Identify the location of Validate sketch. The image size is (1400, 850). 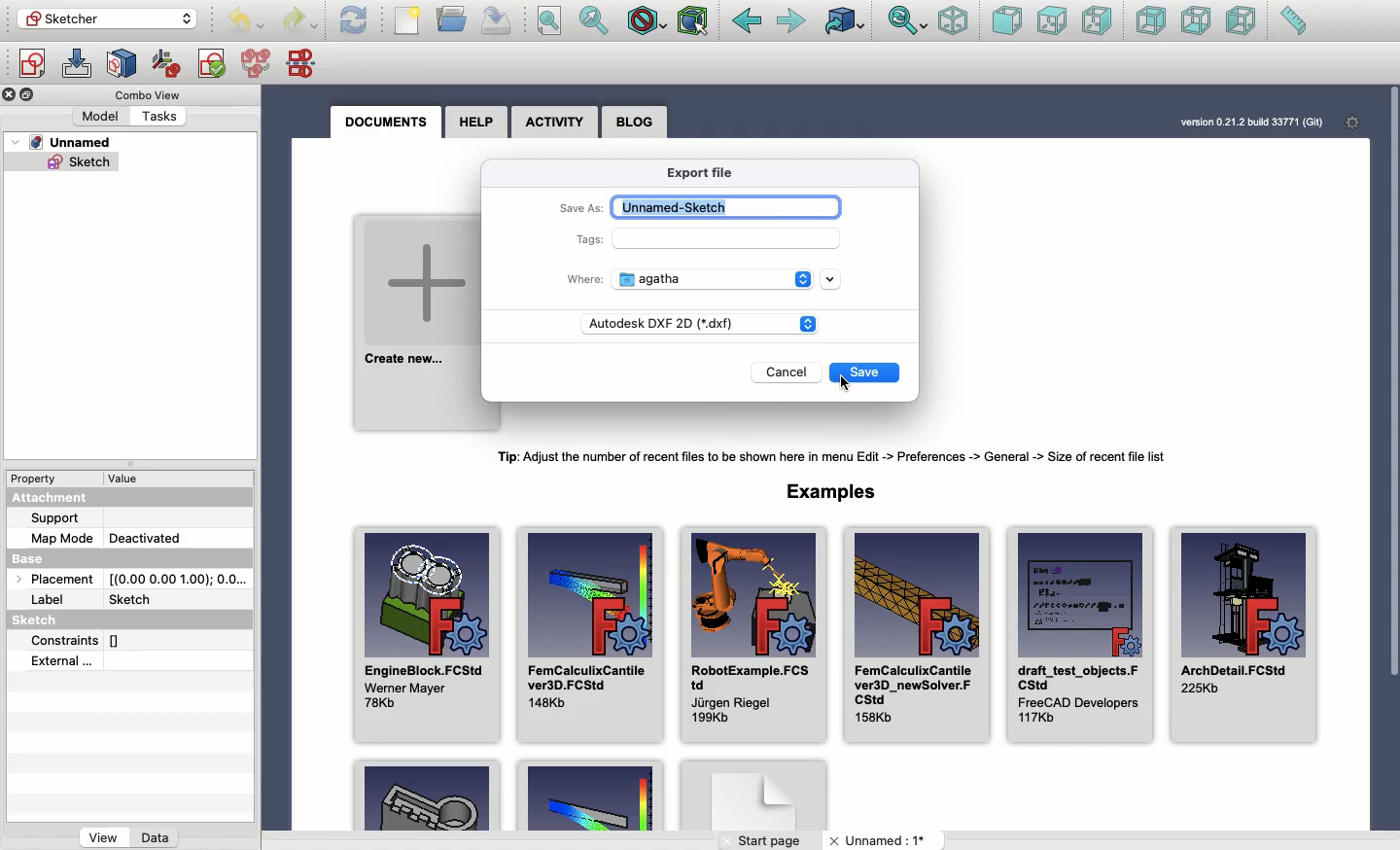
(211, 62).